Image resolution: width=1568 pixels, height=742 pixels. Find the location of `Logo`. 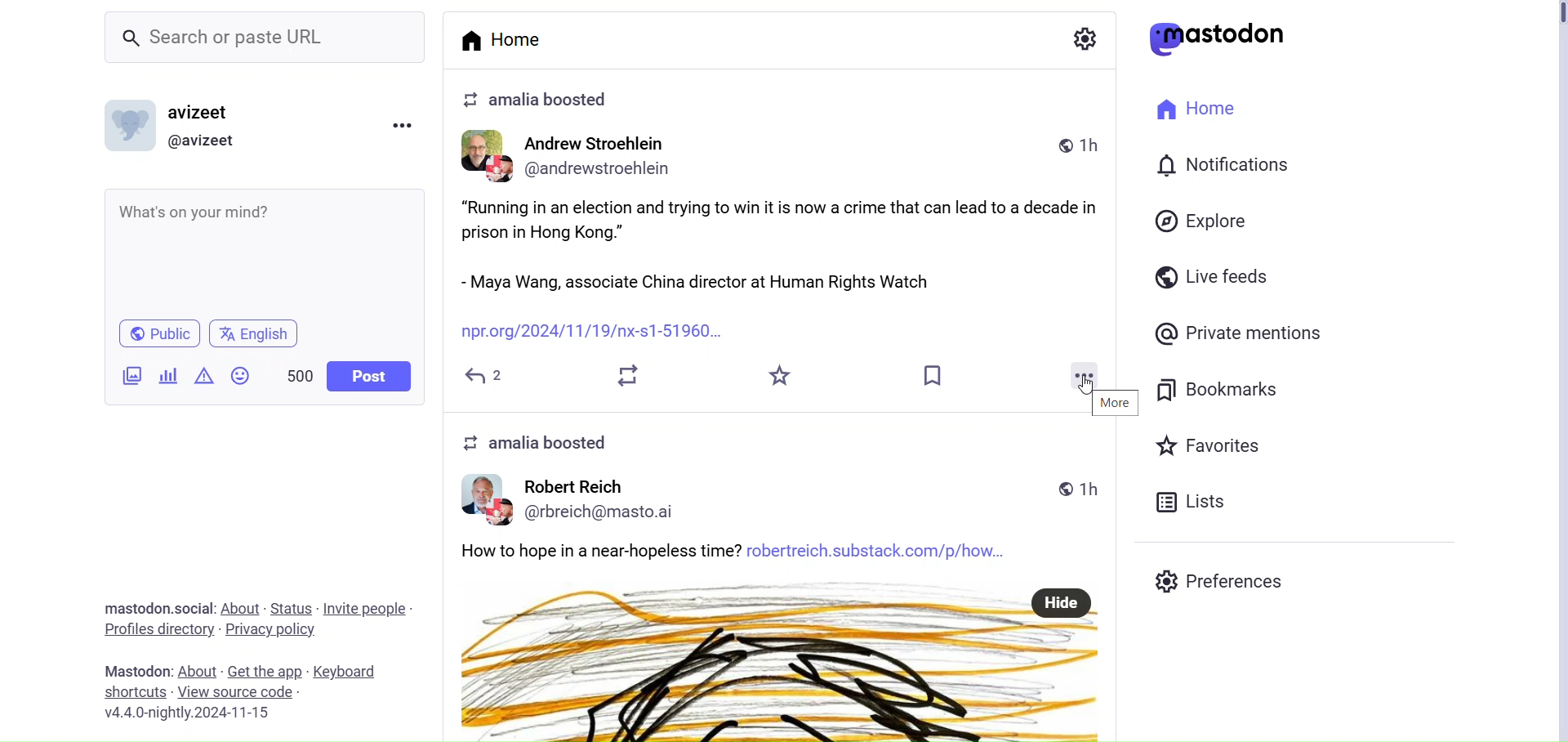

Logo is located at coordinates (1220, 38).